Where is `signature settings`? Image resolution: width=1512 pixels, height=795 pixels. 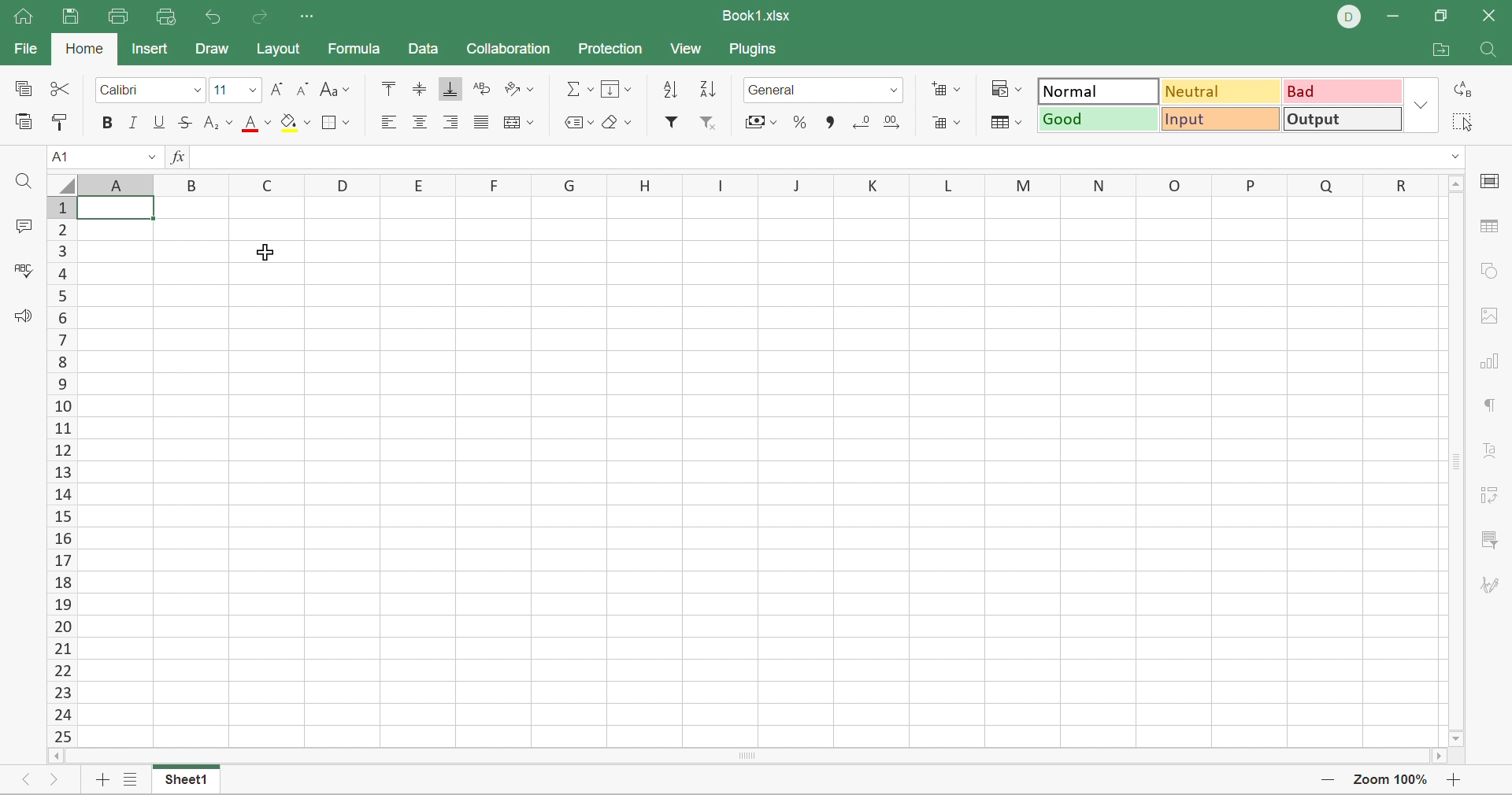
signature settings is located at coordinates (1492, 584).